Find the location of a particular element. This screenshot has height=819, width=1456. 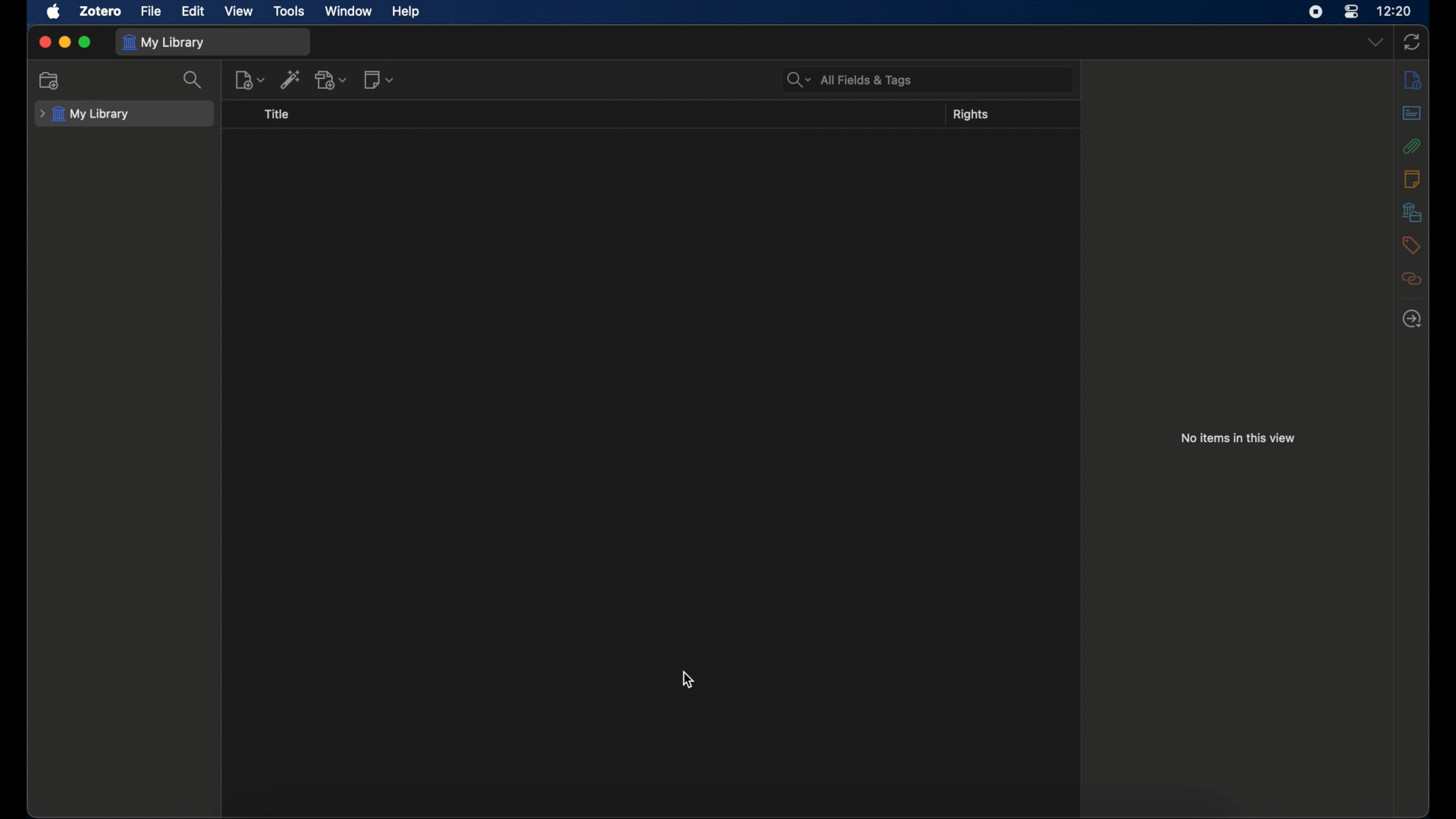

relate is located at coordinates (1411, 278).